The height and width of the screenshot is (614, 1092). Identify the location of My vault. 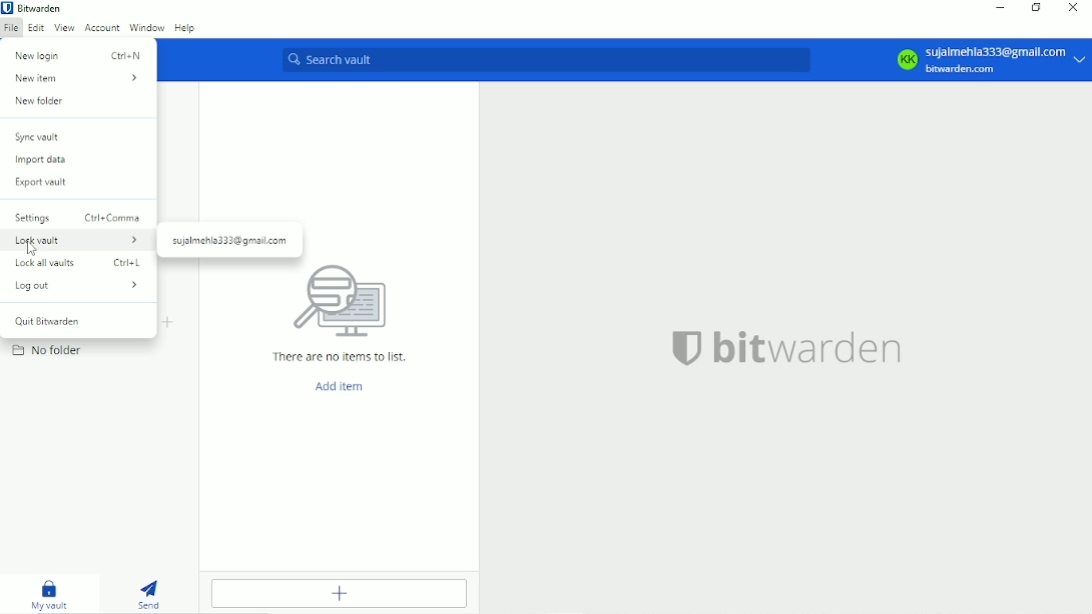
(48, 591).